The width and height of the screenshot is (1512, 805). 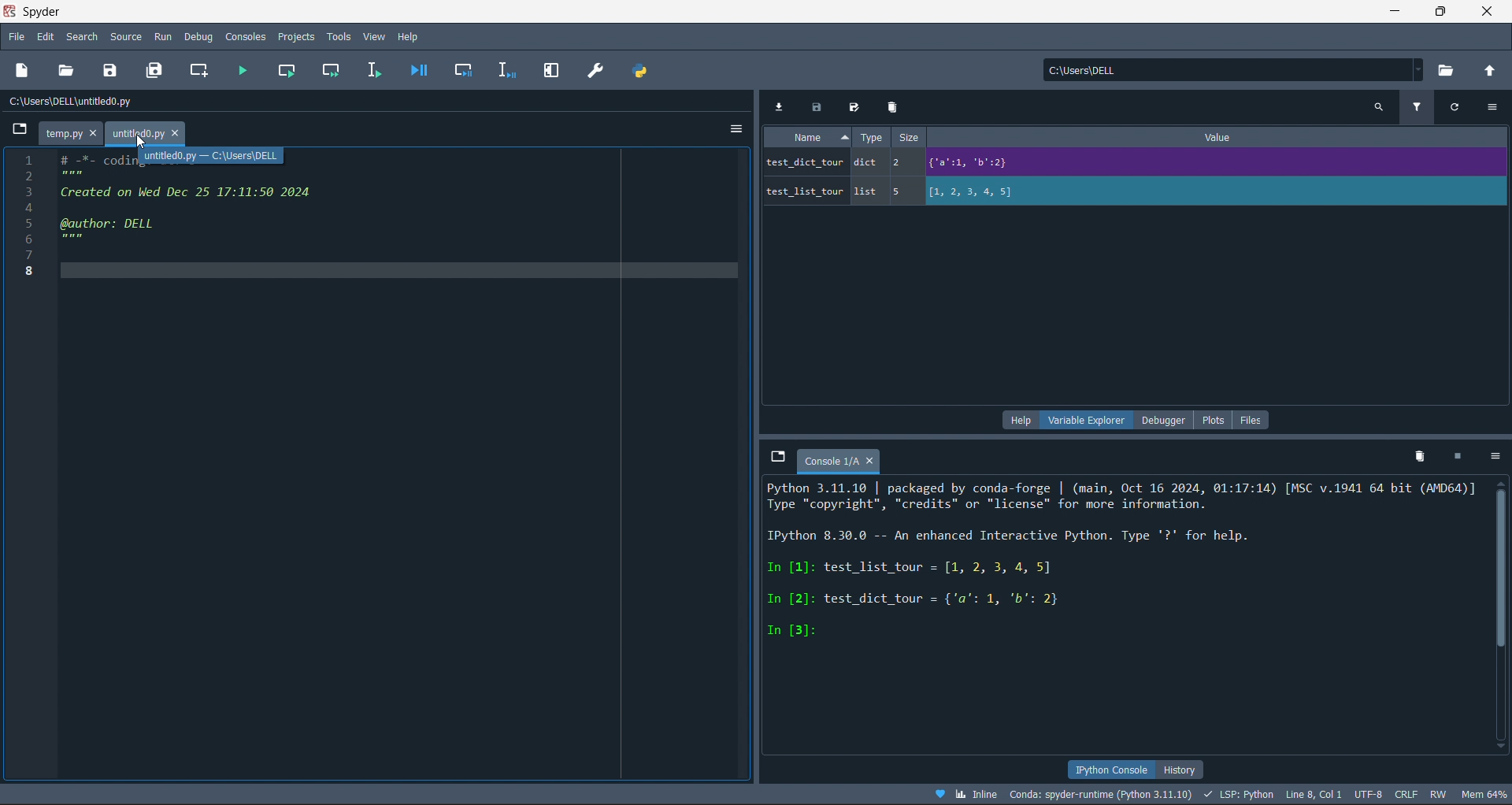 I want to click on UTF-8, so click(x=1366, y=796).